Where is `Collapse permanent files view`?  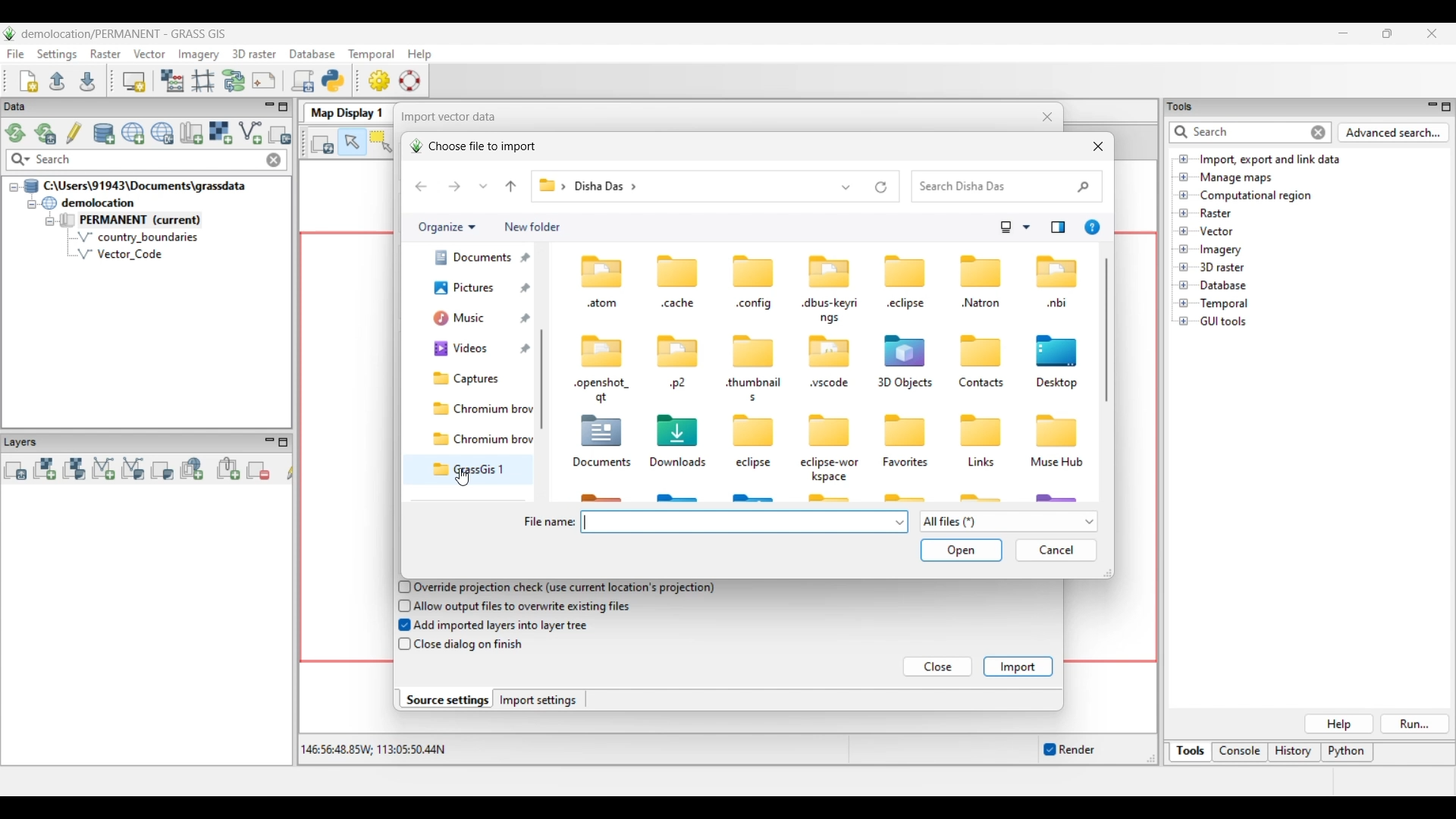 Collapse permanent files view is located at coordinates (50, 221).